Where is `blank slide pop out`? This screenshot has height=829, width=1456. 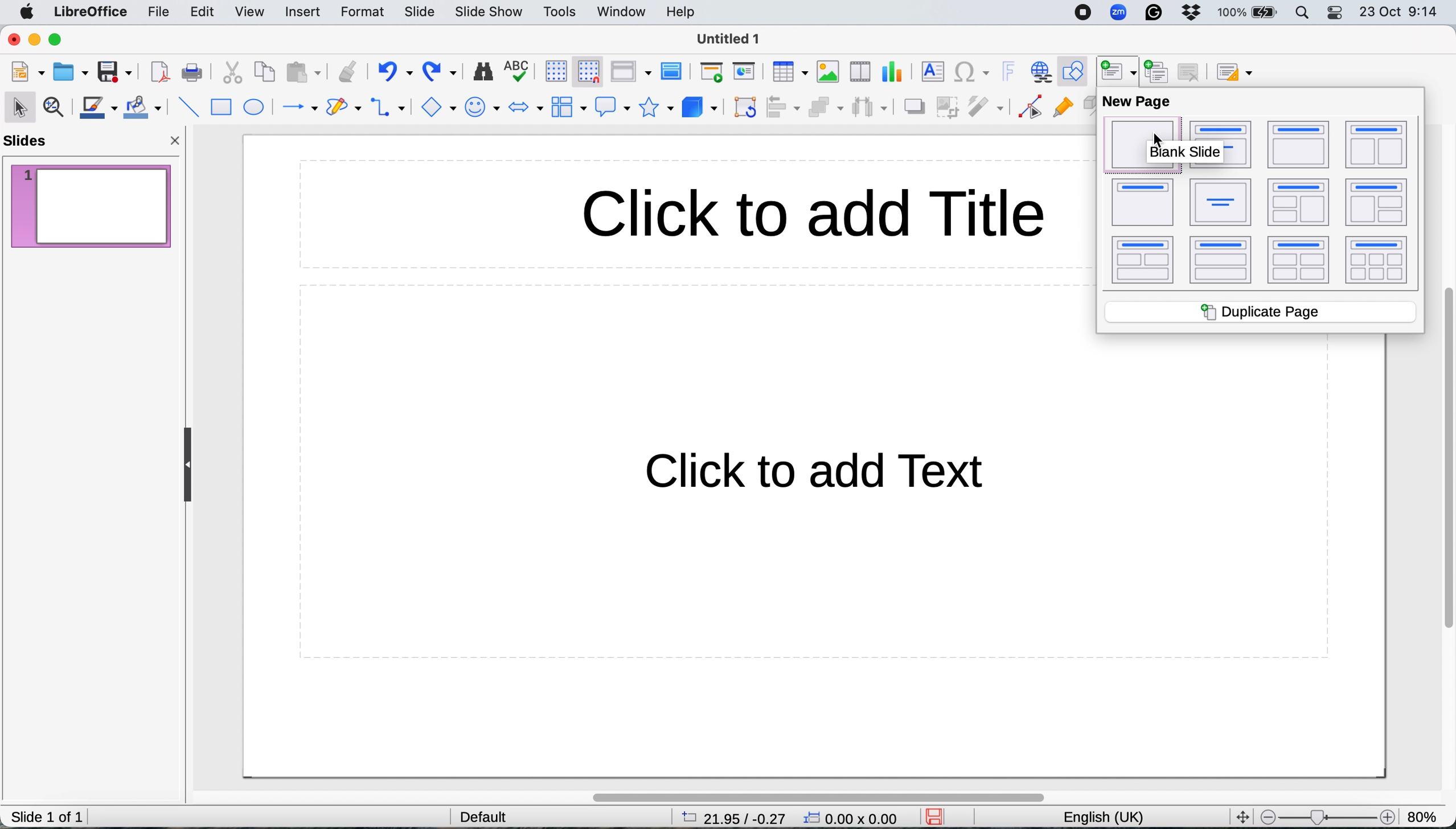 blank slide pop out is located at coordinates (1182, 154).